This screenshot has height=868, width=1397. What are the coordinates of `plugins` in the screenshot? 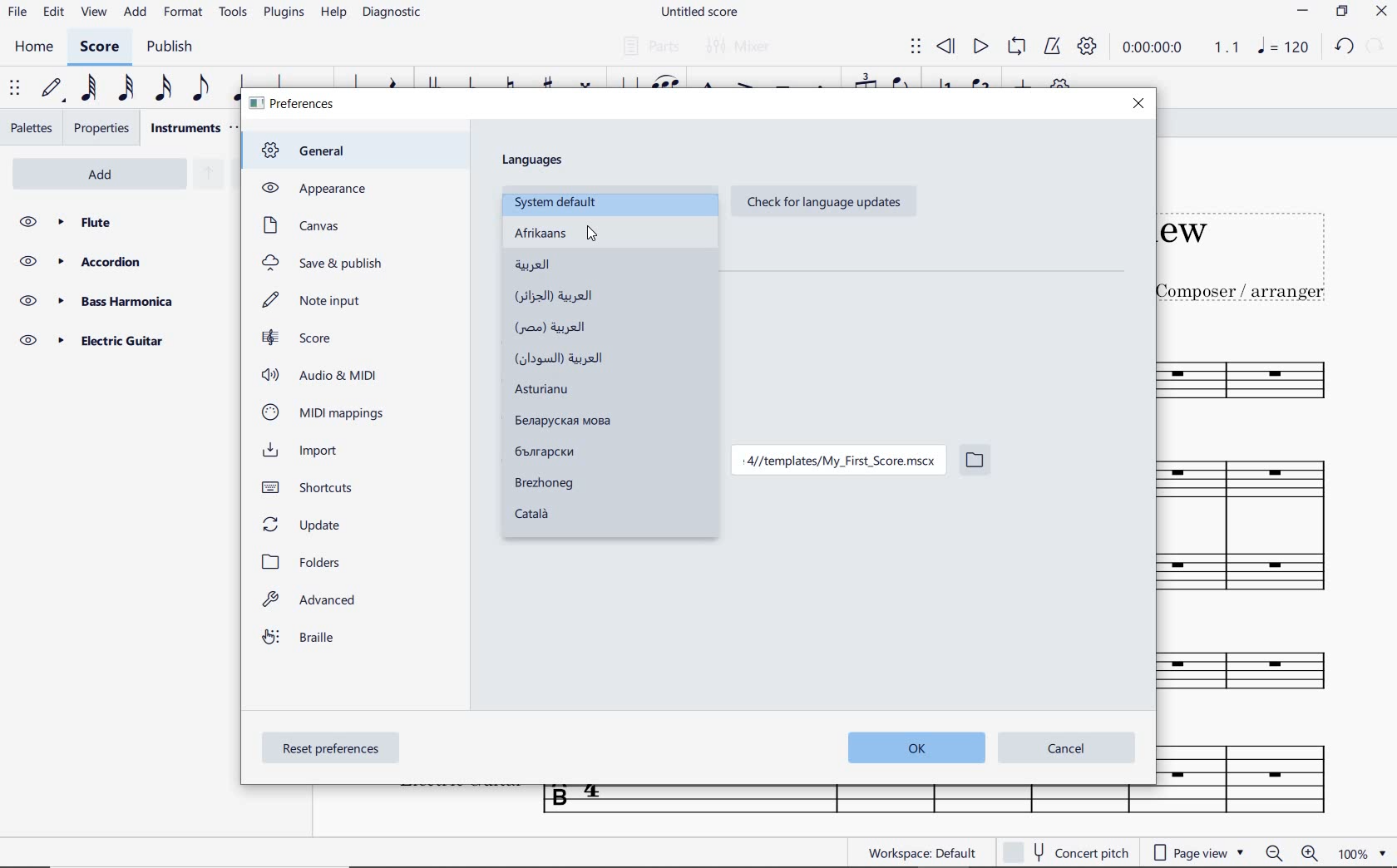 It's located at (284, 13).